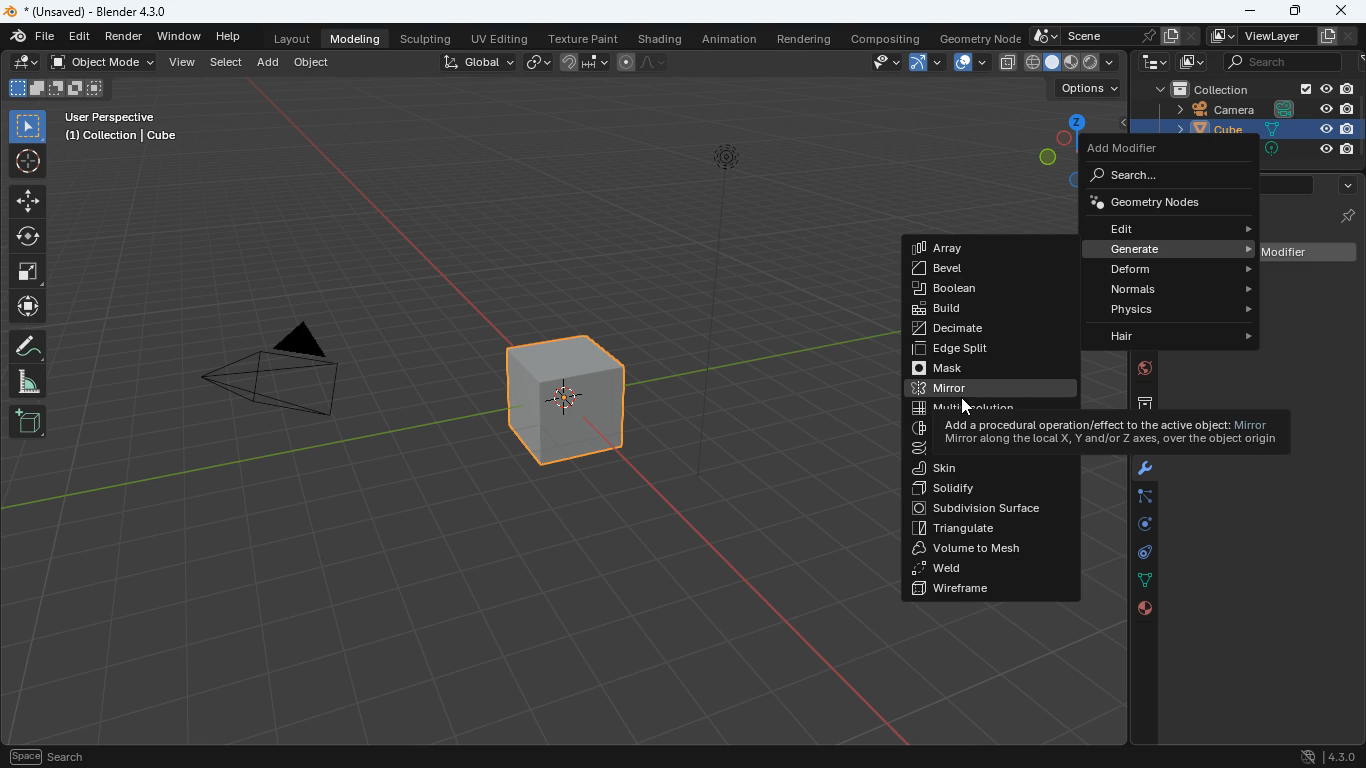 The height and width of the screenshot is (768, 1366). Describe the element at coordinates (1073, 63) in the screenshot. I see `cube type` at that location.